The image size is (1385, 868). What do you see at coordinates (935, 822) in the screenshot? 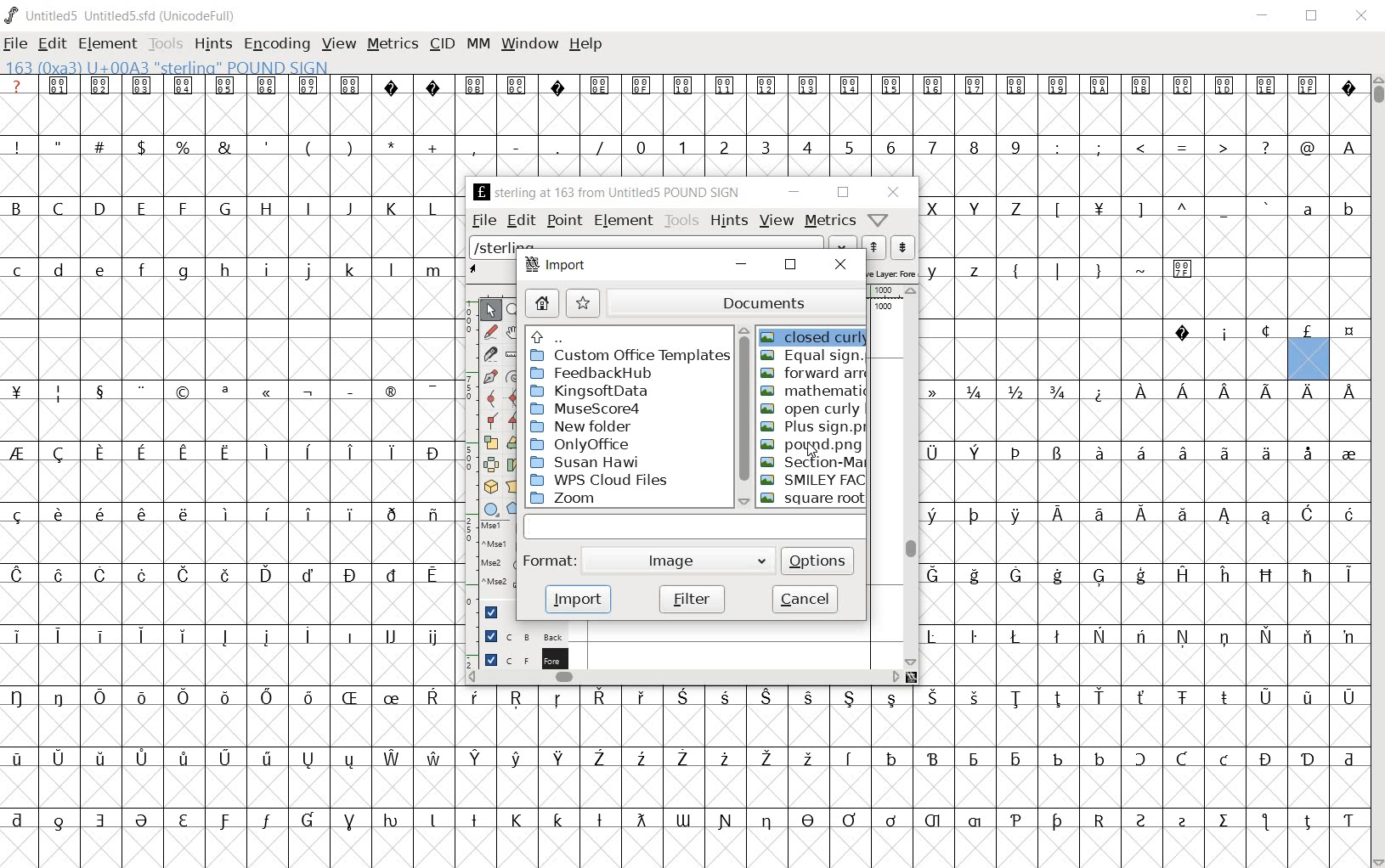
I see `Symbol` at bounding box center [935, 822].